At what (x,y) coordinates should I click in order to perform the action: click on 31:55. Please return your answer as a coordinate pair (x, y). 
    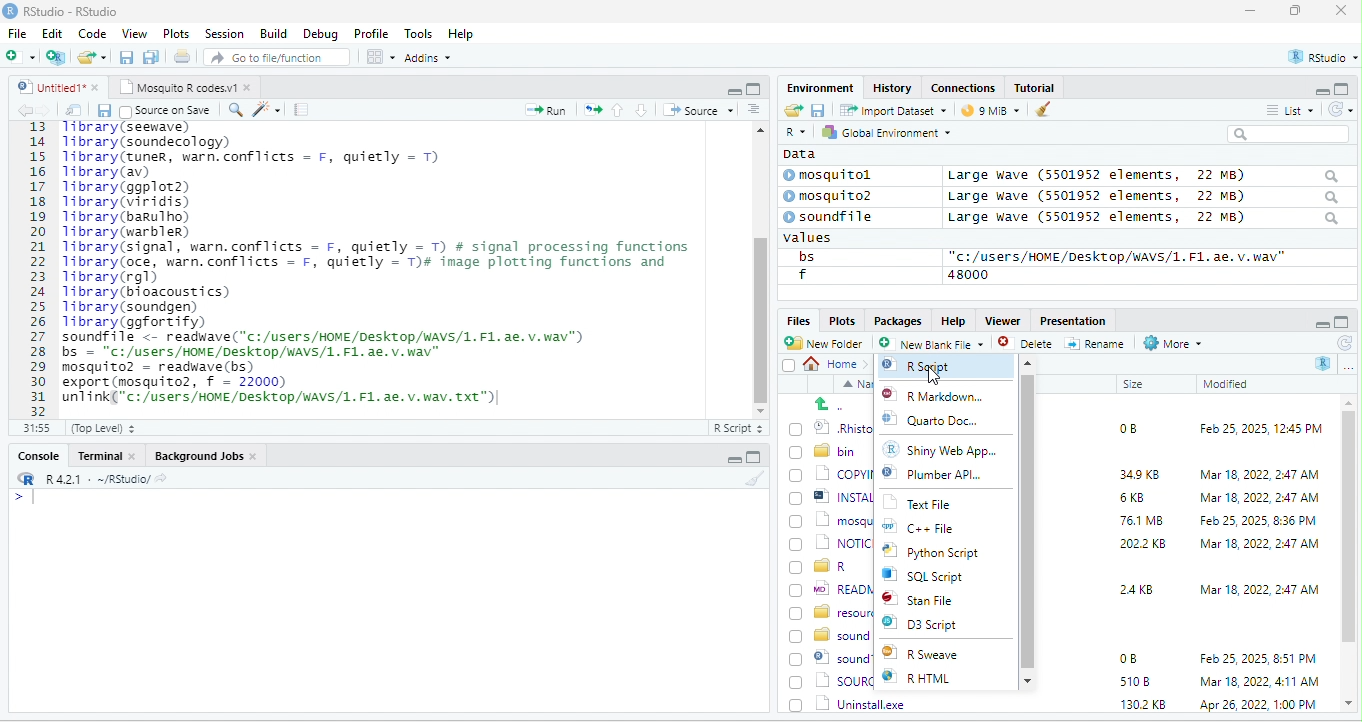
    Looking at the image, I should click on (34, 428).